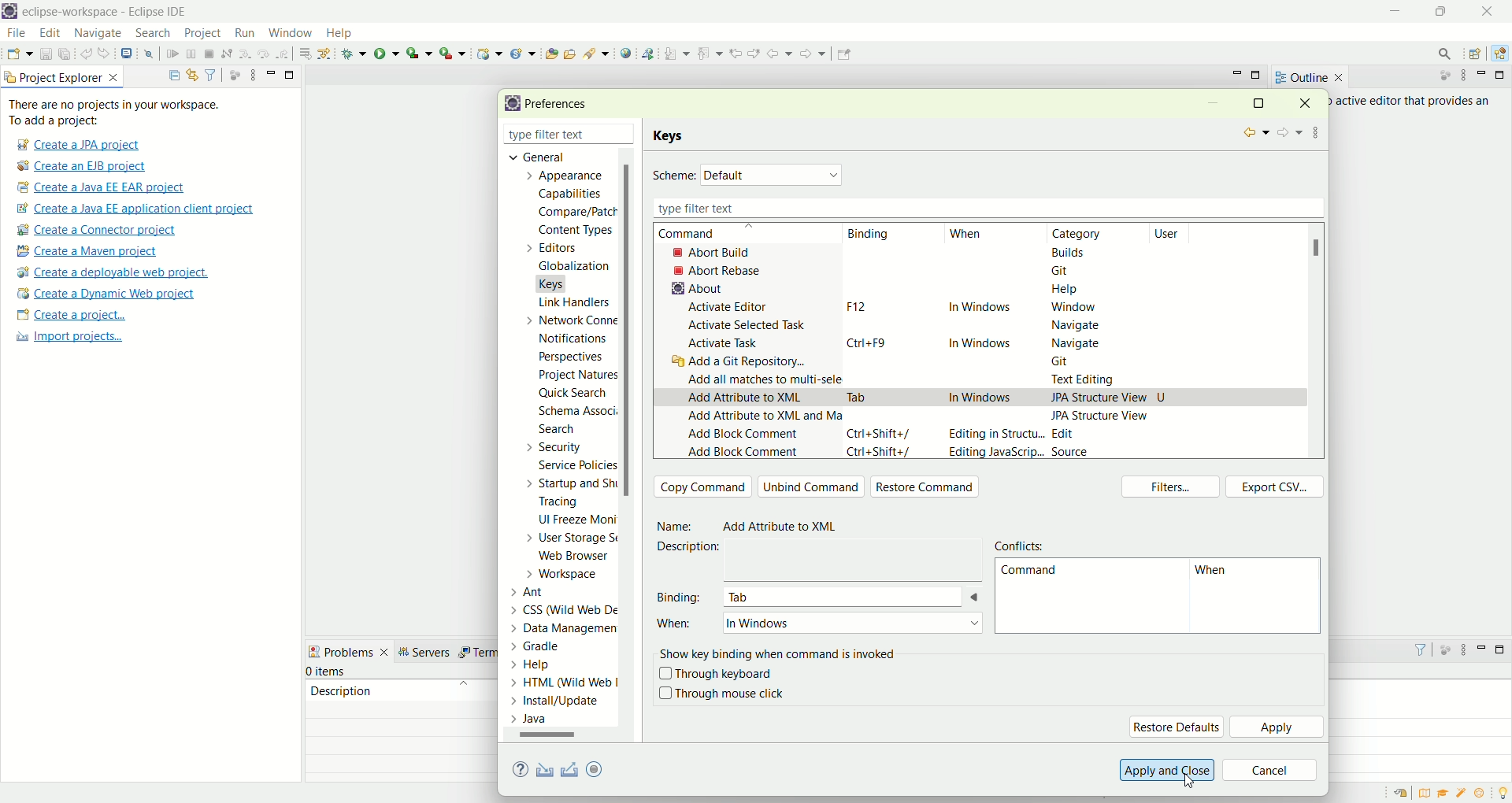 This screenshot has width=1512, height=803. What do you see at coordinates (173, 55) in the screenshot?
I see `resume` at bounding box center [173, 55].